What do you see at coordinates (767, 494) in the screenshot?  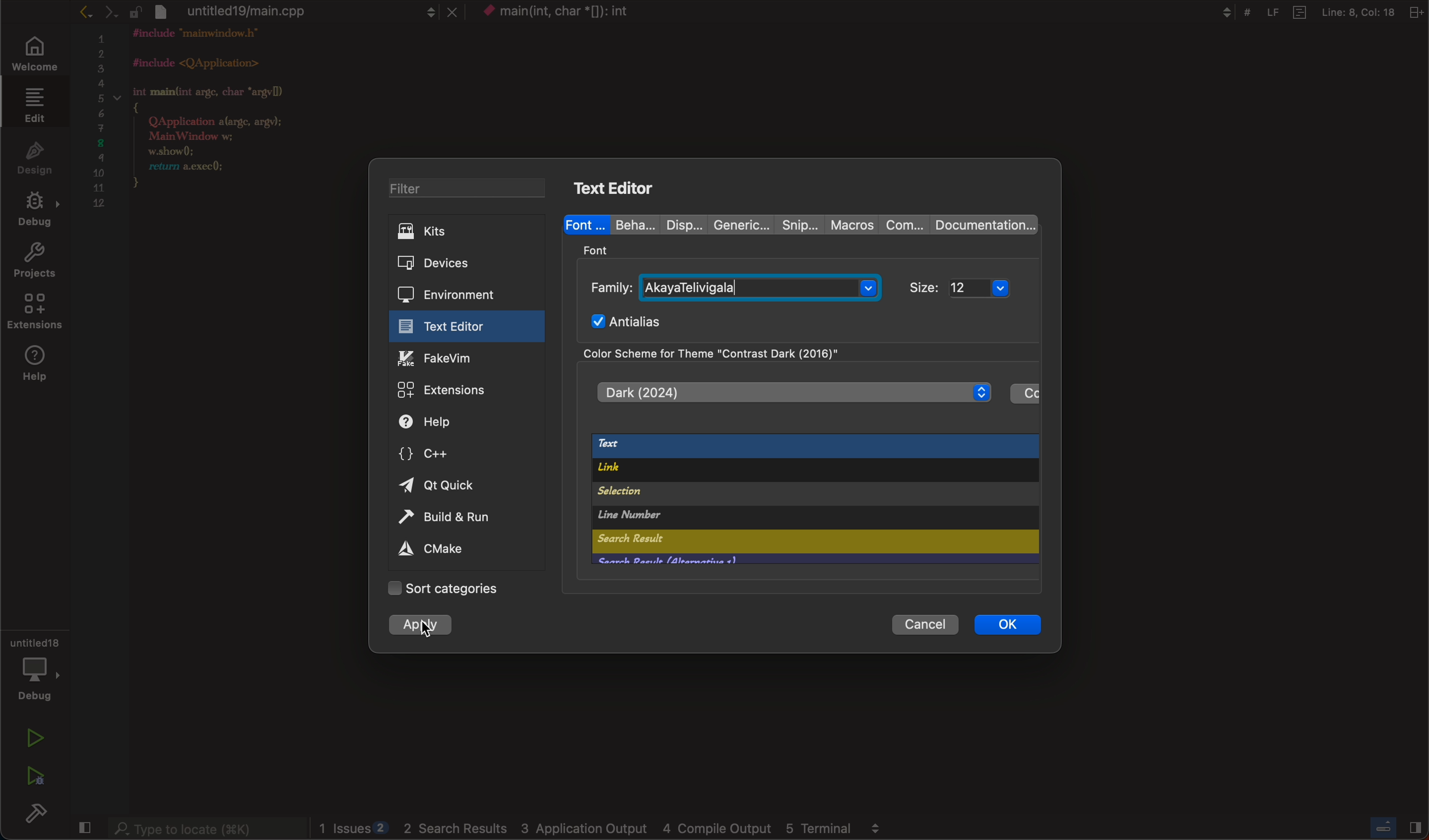 I see `selection` at bounding box center [767, 494].